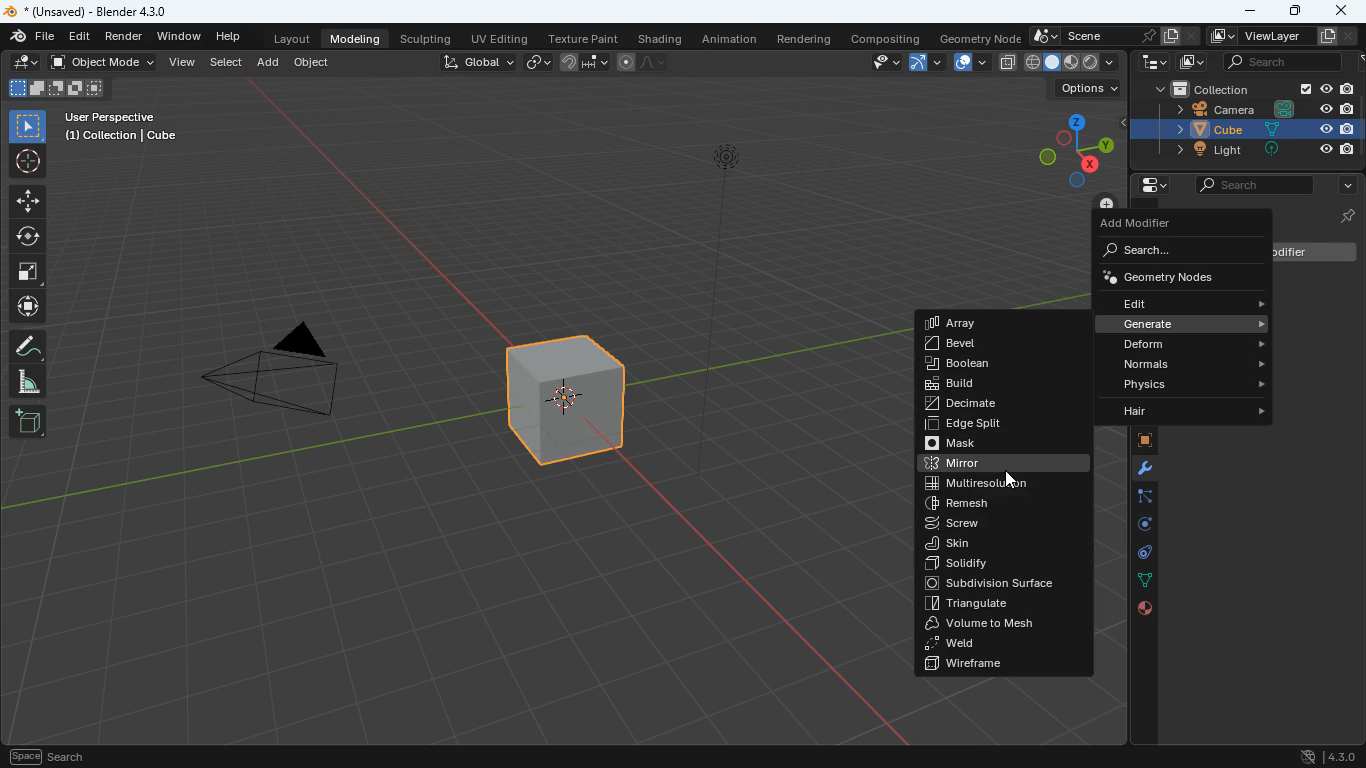 The height and width of the screenshot is (768, 1366). Describe the element at coordinates (1076, 146) in the screenshot. I see `dimensions` at that location.